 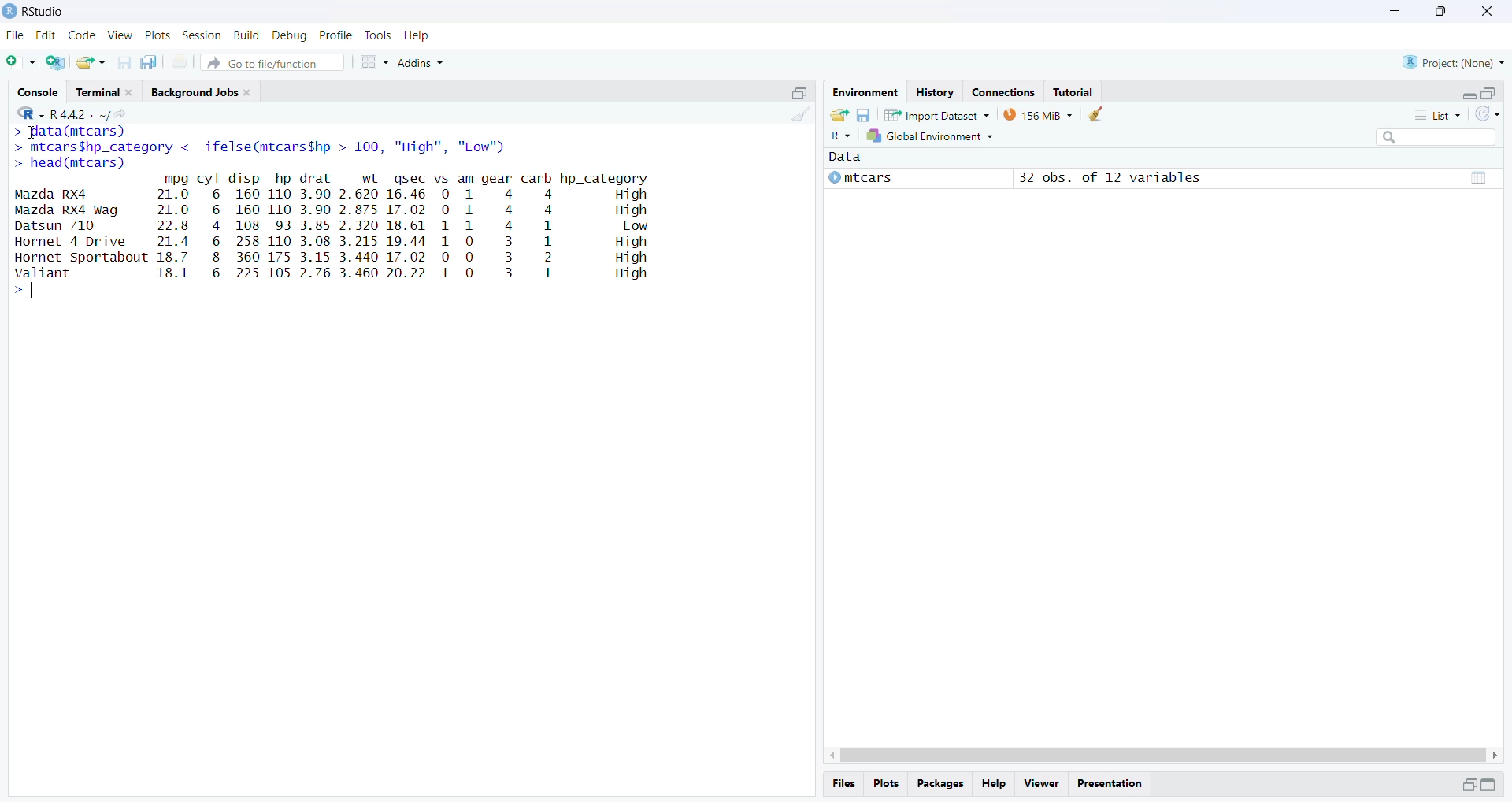 I want to click on List, so click(x=1441, y=115).